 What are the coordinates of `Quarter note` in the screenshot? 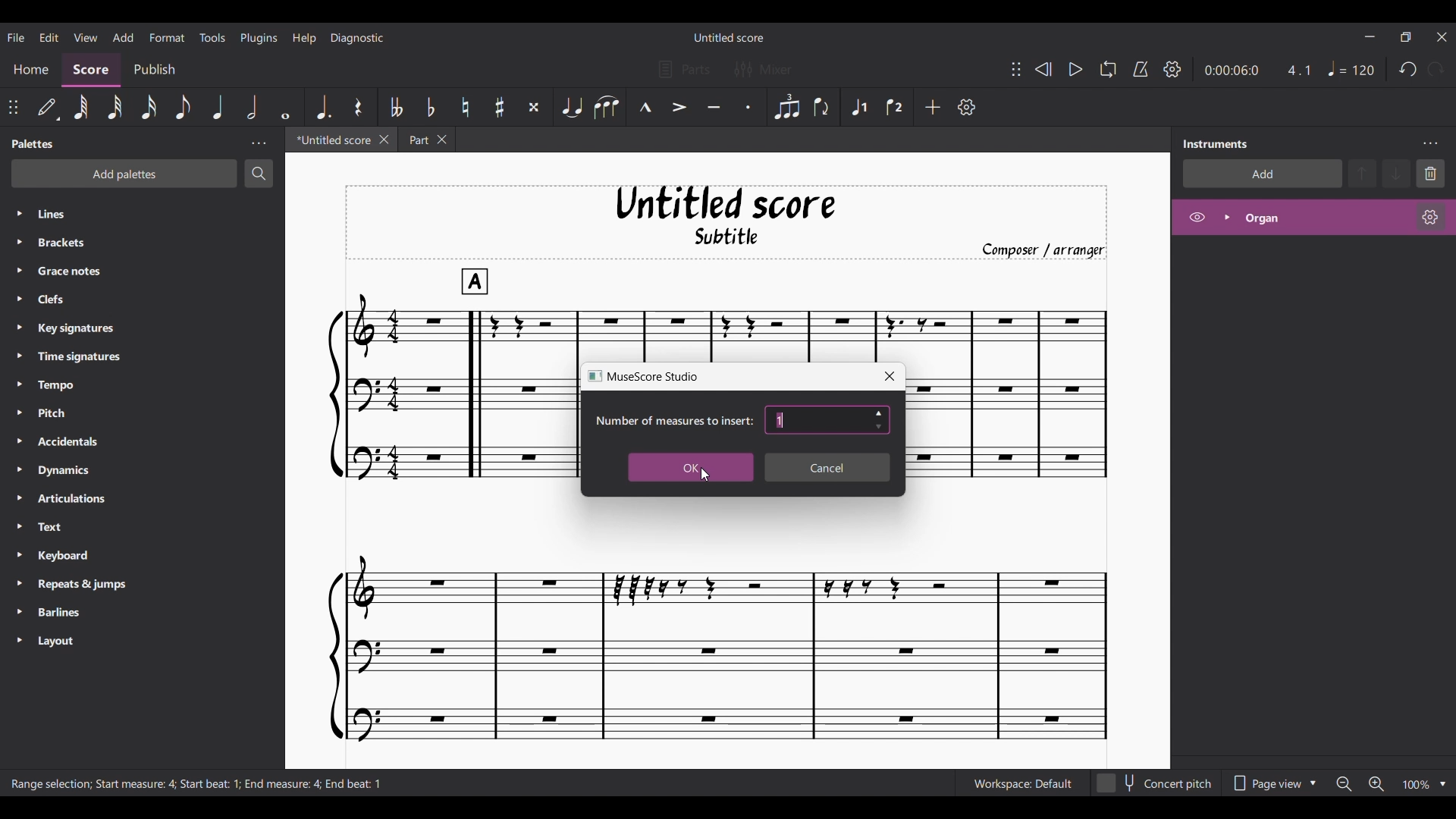 It's located at (1351, 68).